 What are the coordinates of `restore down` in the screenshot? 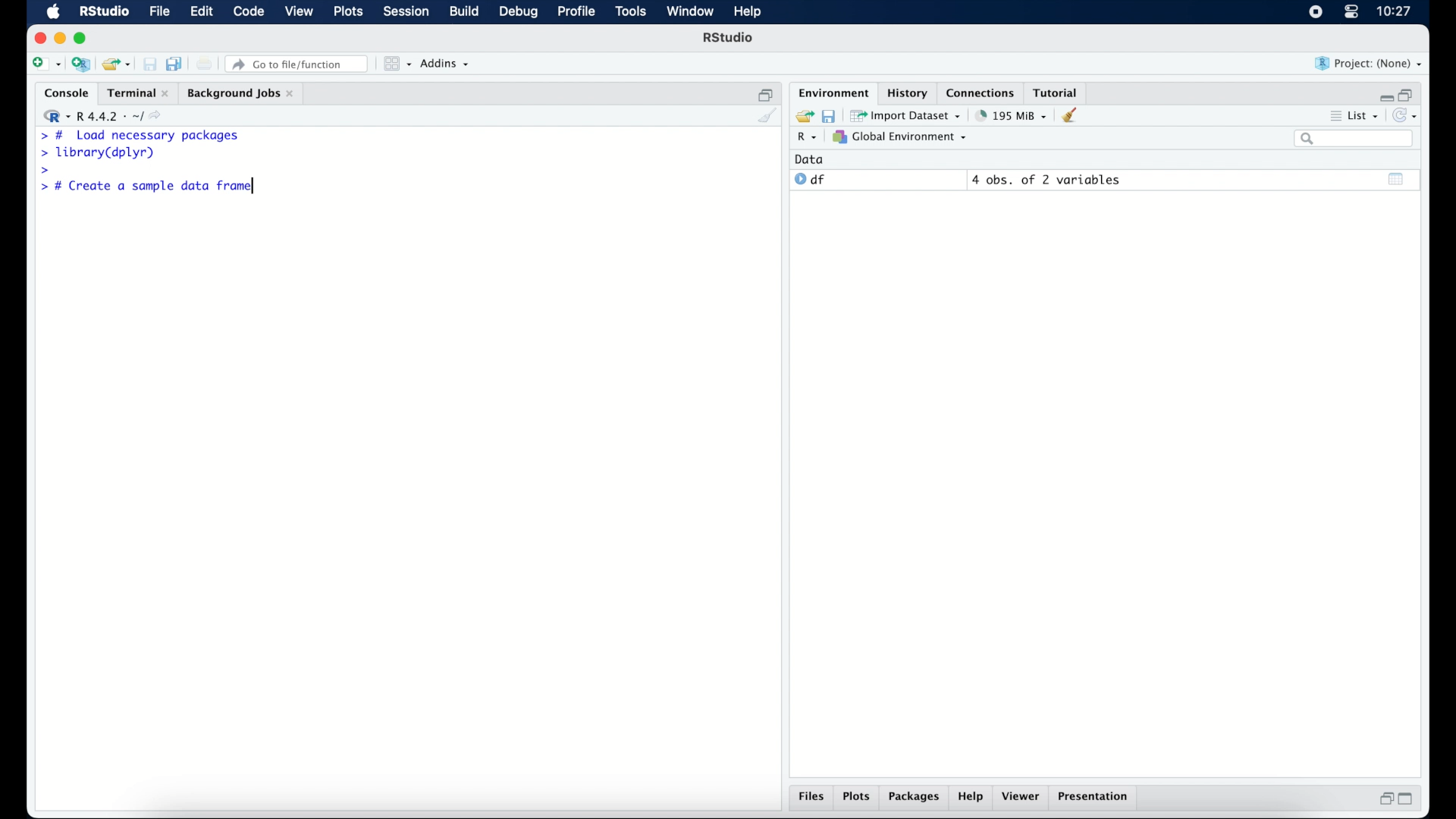 It's located at (1409, 93).